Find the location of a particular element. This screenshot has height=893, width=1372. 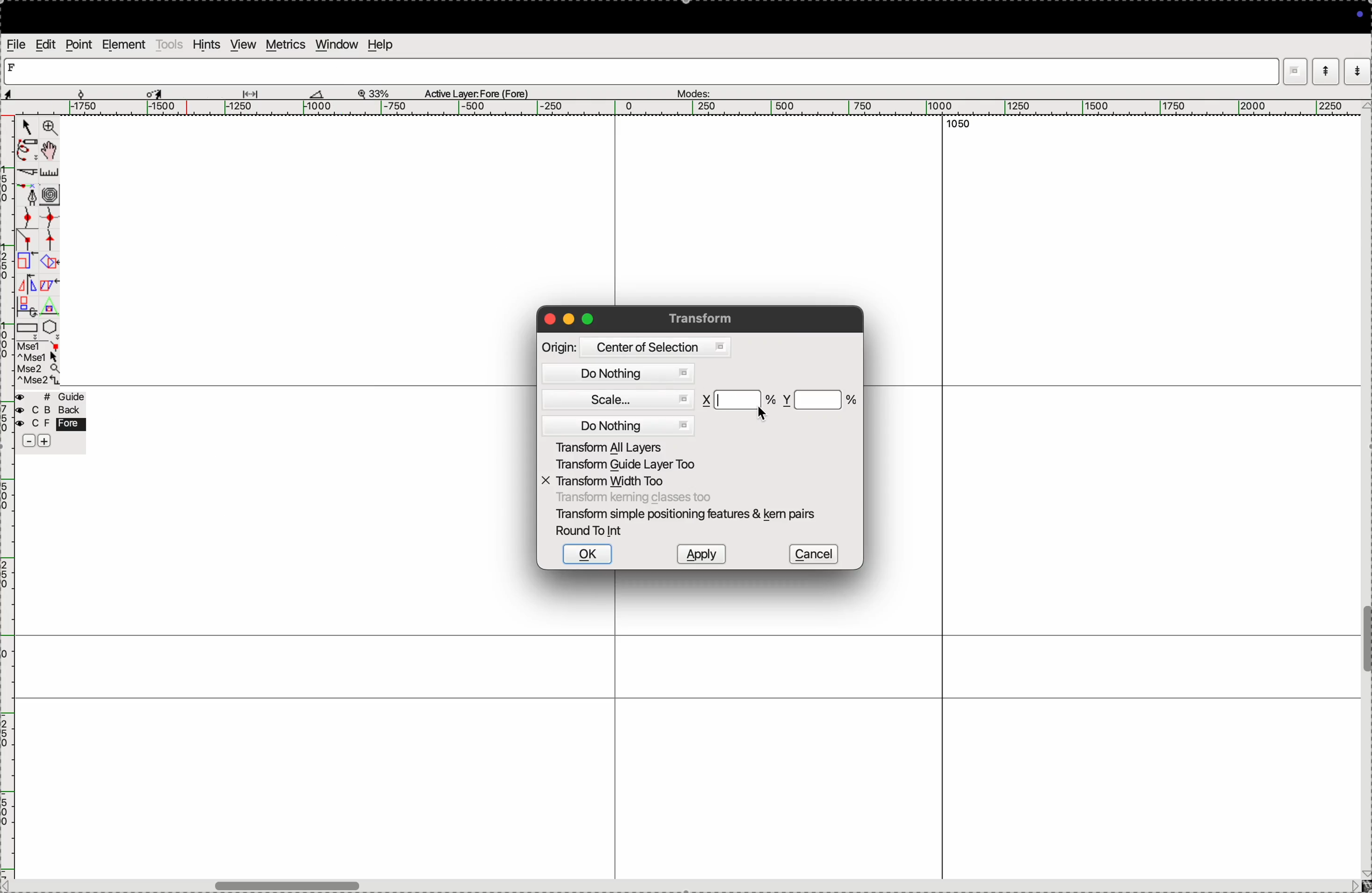

cut is located at coordinates (28, 174).